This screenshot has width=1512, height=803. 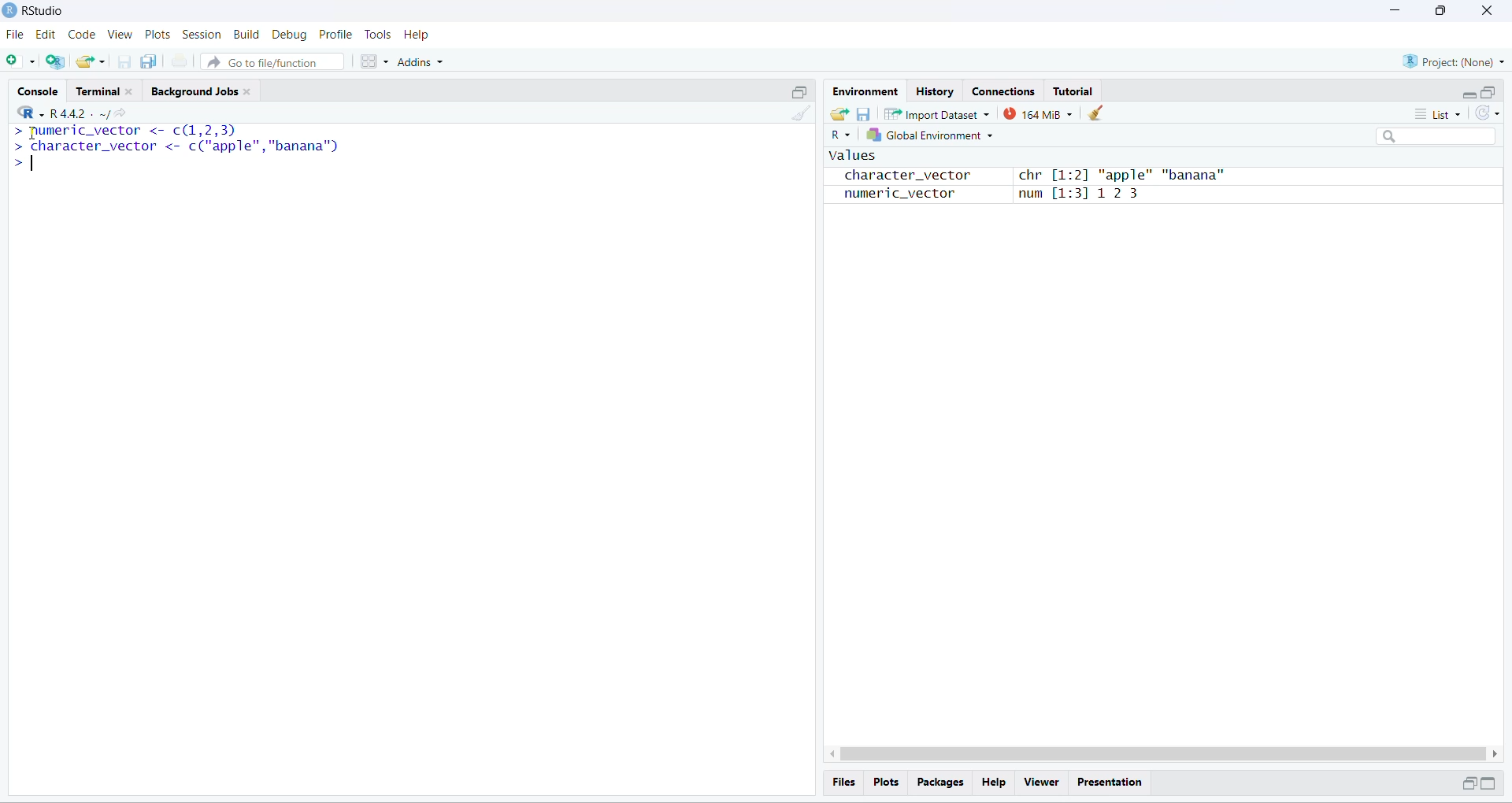 What do you see at coordinates (844, 782) in the screenshot?
I see `Files` at bounding box center [844, 782].